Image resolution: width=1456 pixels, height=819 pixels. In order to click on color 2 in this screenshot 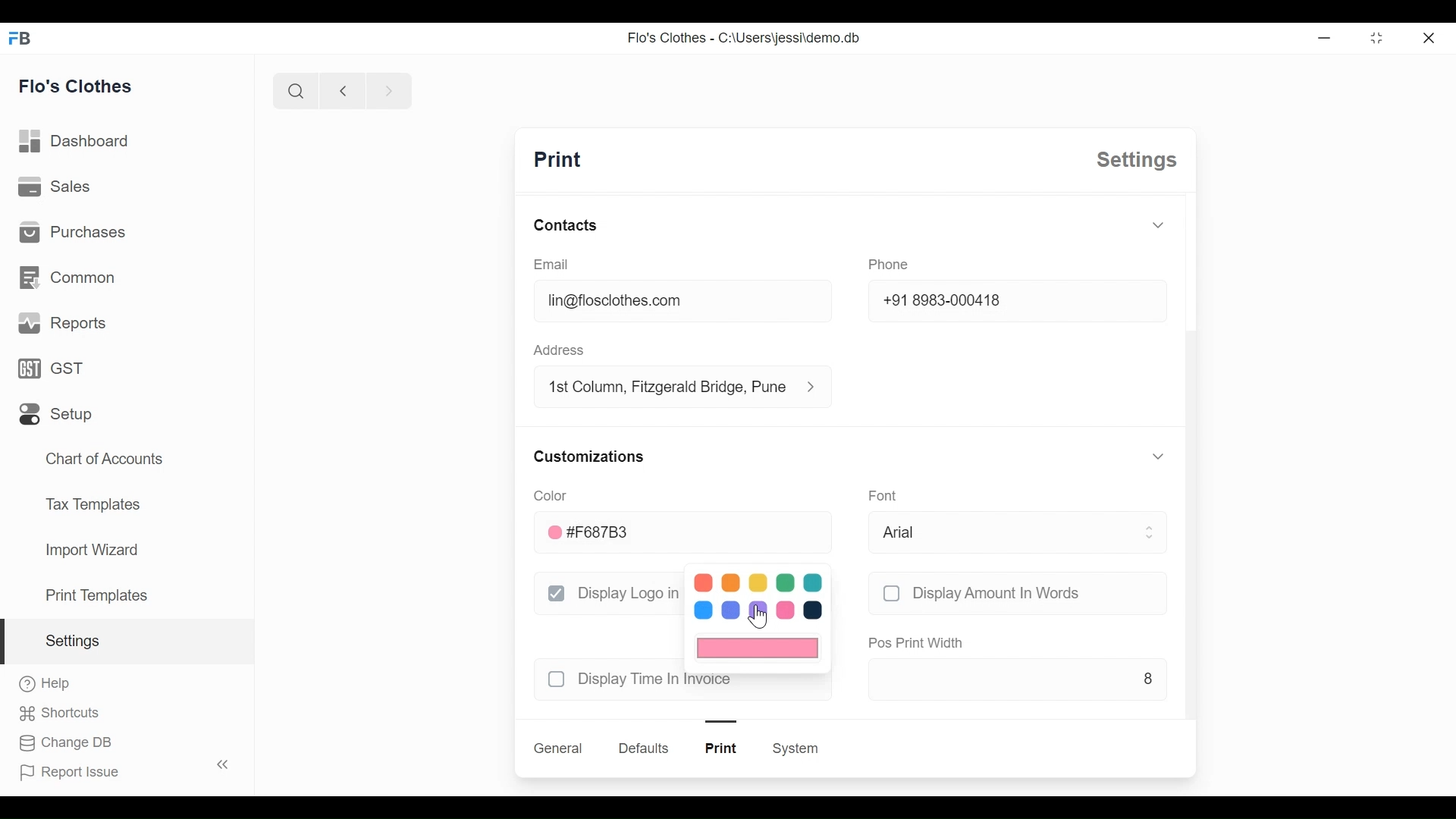, I will do `click(731, 582)`.